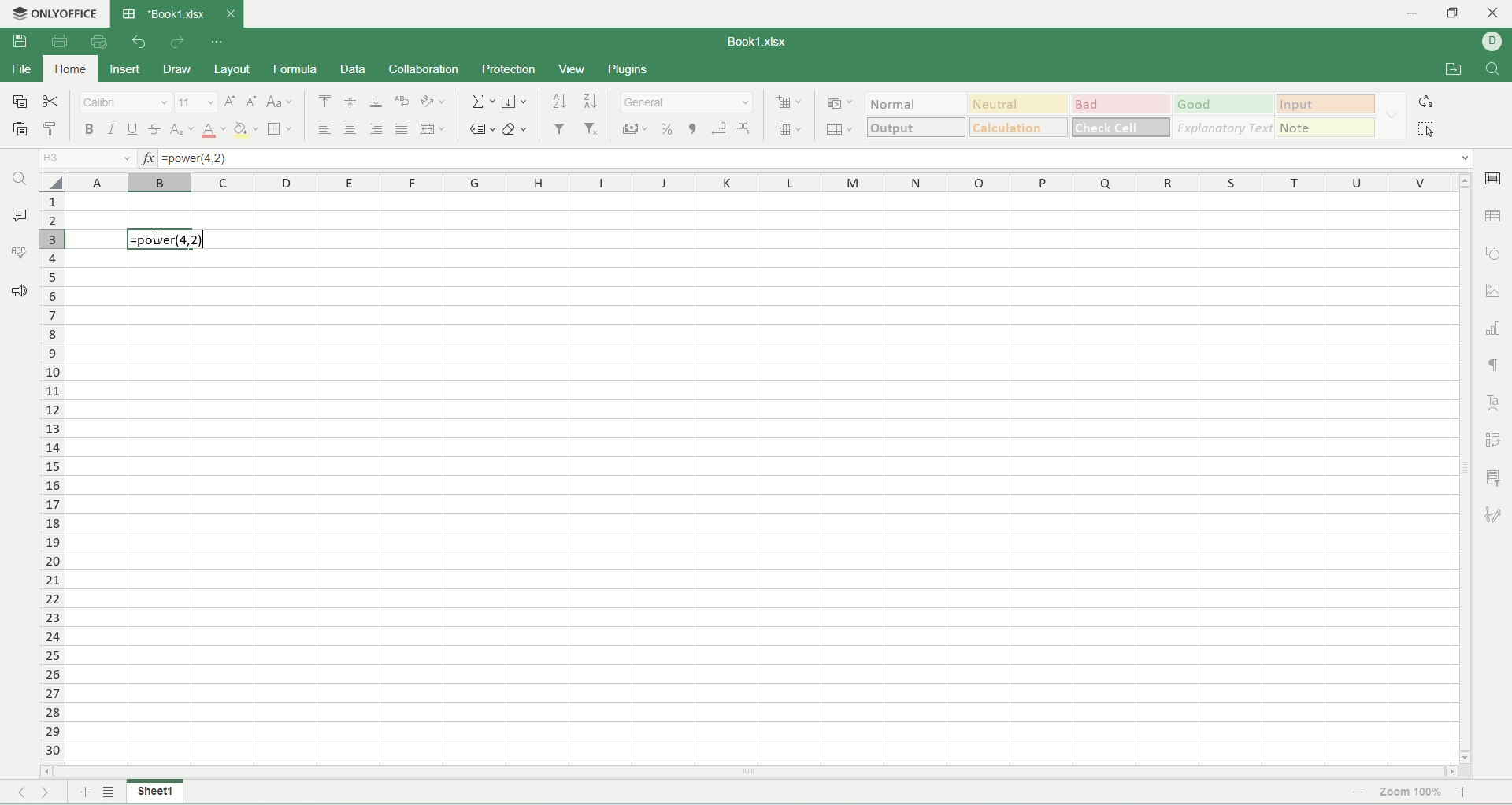  I want to click on save, so click(19, 42).